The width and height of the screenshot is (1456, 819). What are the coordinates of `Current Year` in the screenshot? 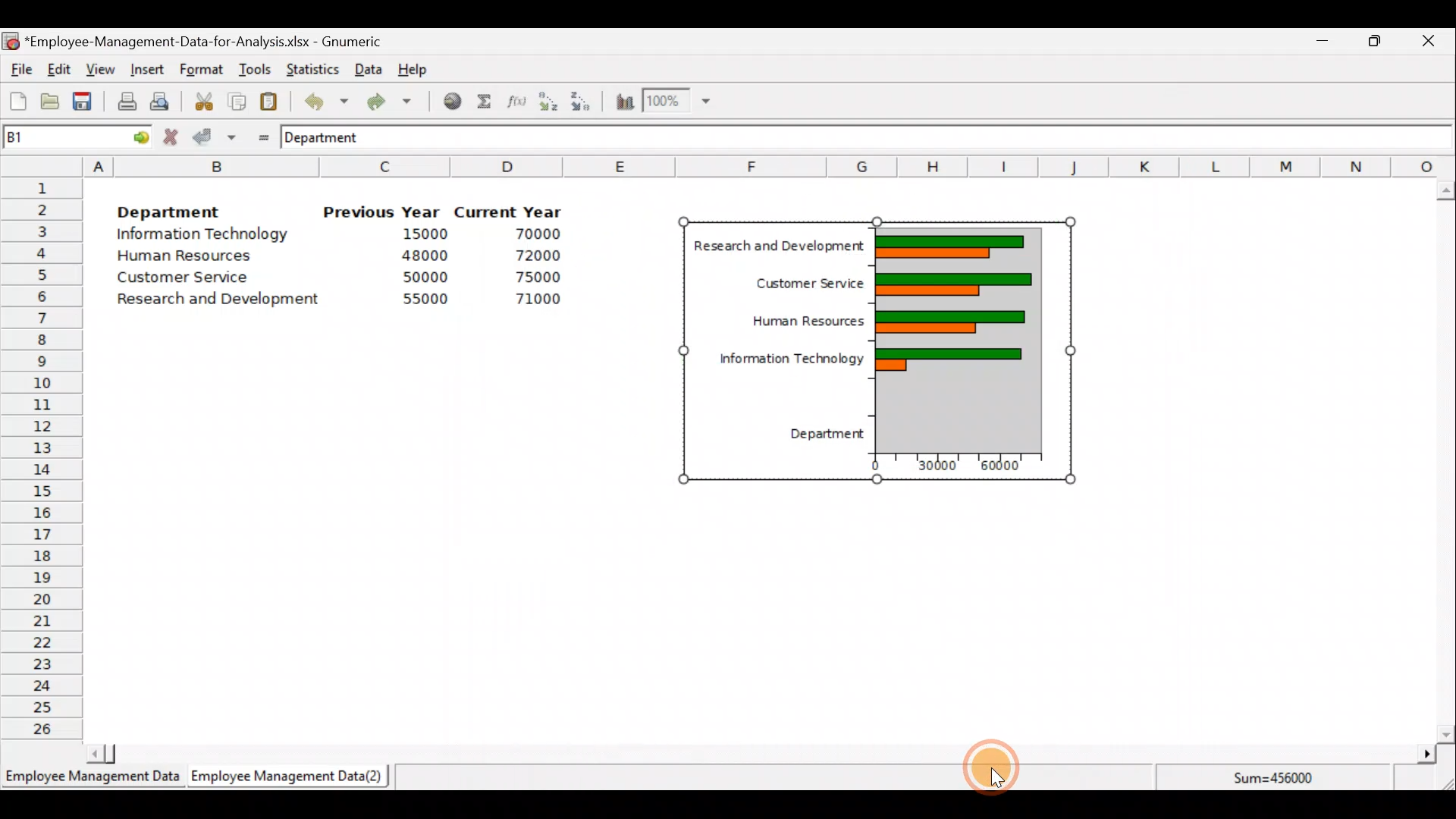 It's located at (513, 211).